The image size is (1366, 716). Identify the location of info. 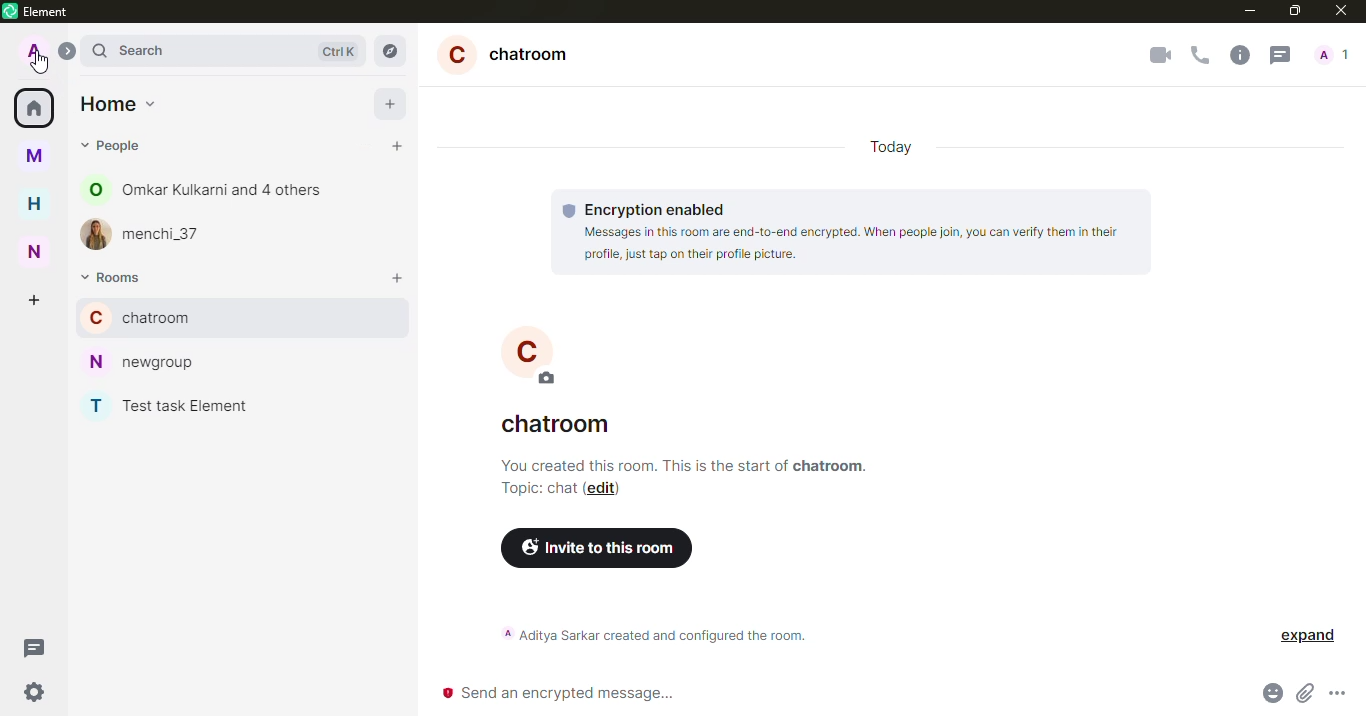
(684, 467).